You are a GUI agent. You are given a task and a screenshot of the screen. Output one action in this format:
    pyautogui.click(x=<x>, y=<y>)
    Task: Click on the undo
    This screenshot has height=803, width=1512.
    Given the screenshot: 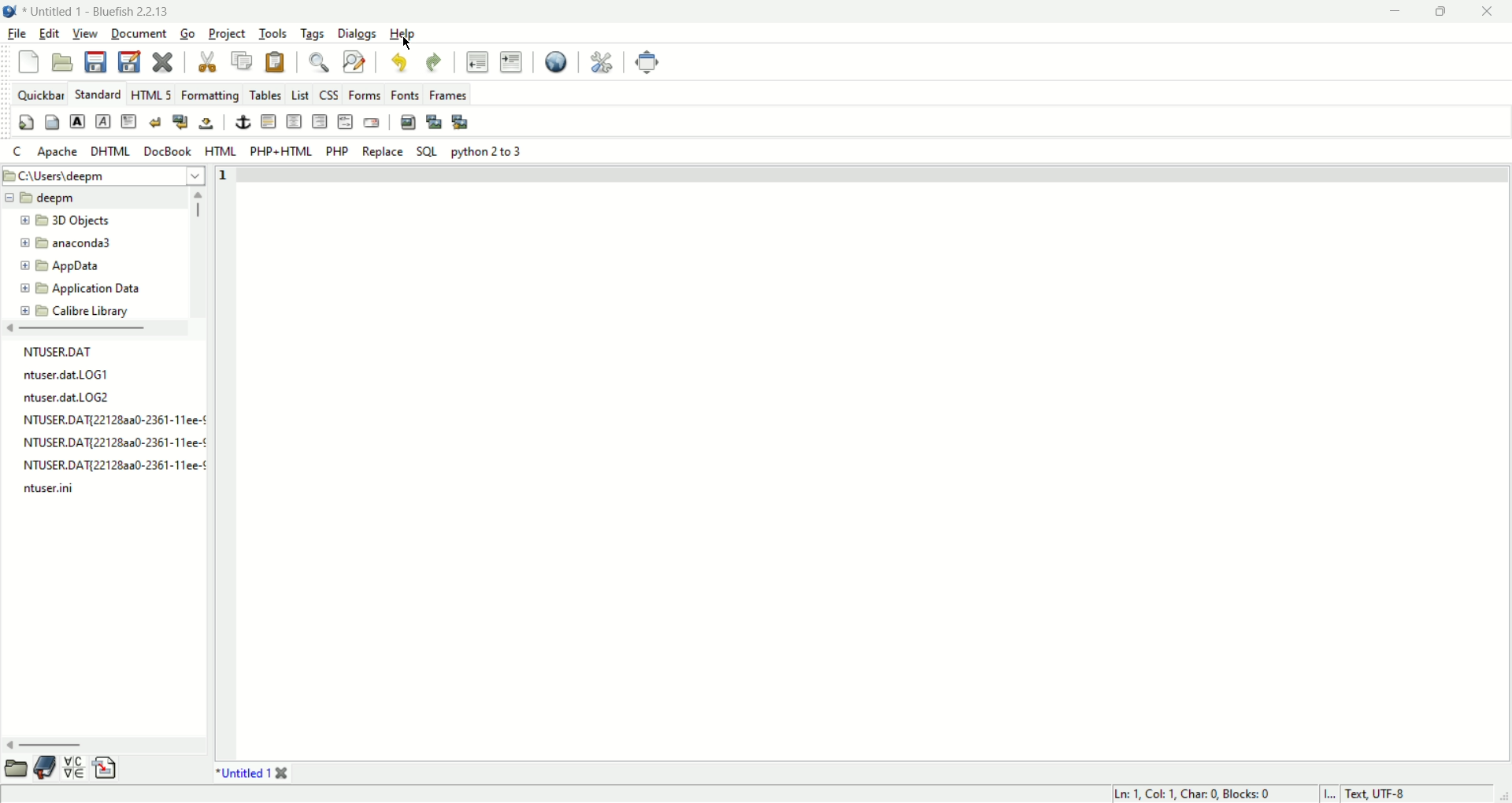 What is the action you would take?
    pyautogui.click(x=399, y=63)
    